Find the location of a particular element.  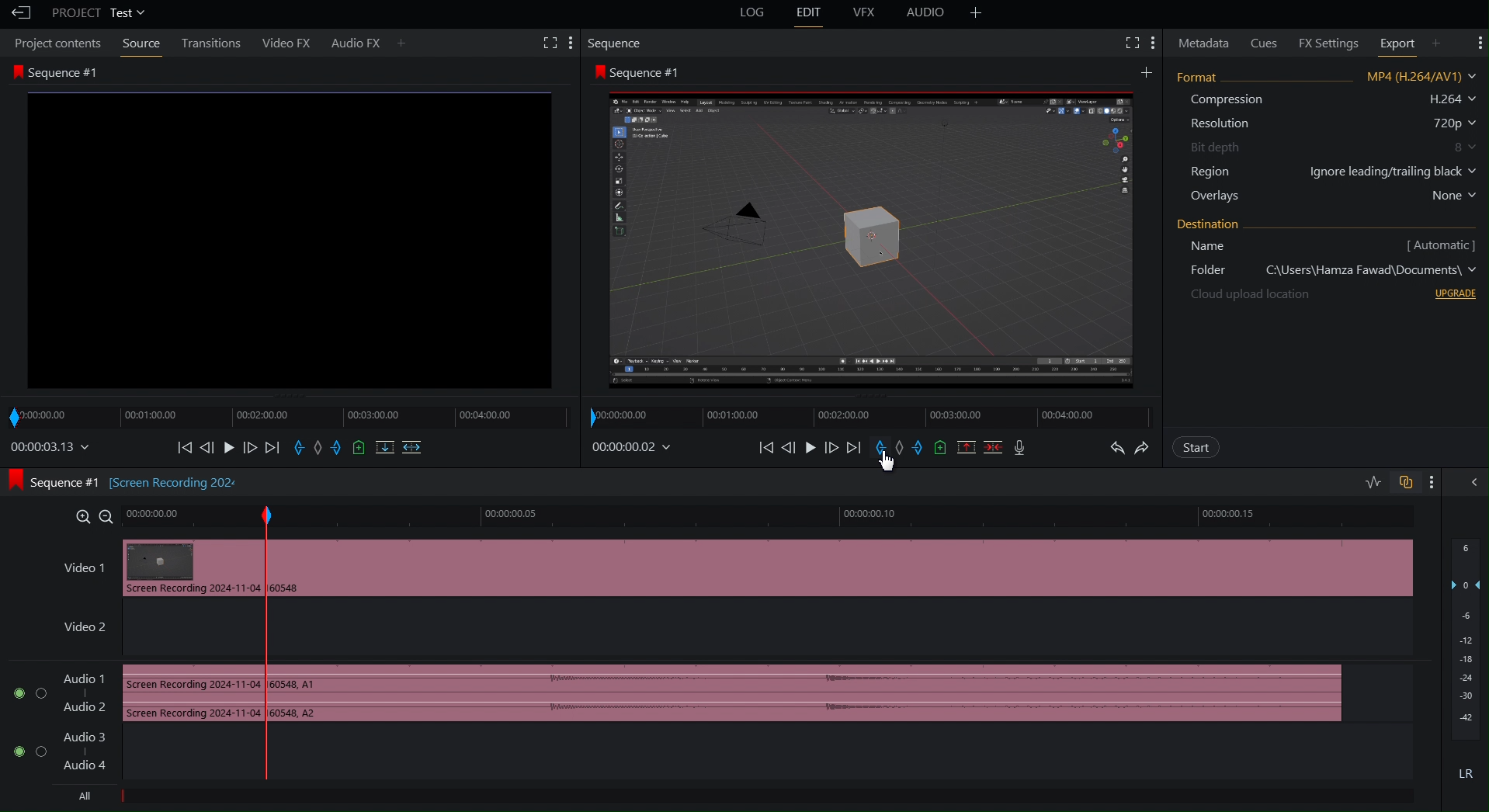

Transitions is located at coordinates (210, 44).